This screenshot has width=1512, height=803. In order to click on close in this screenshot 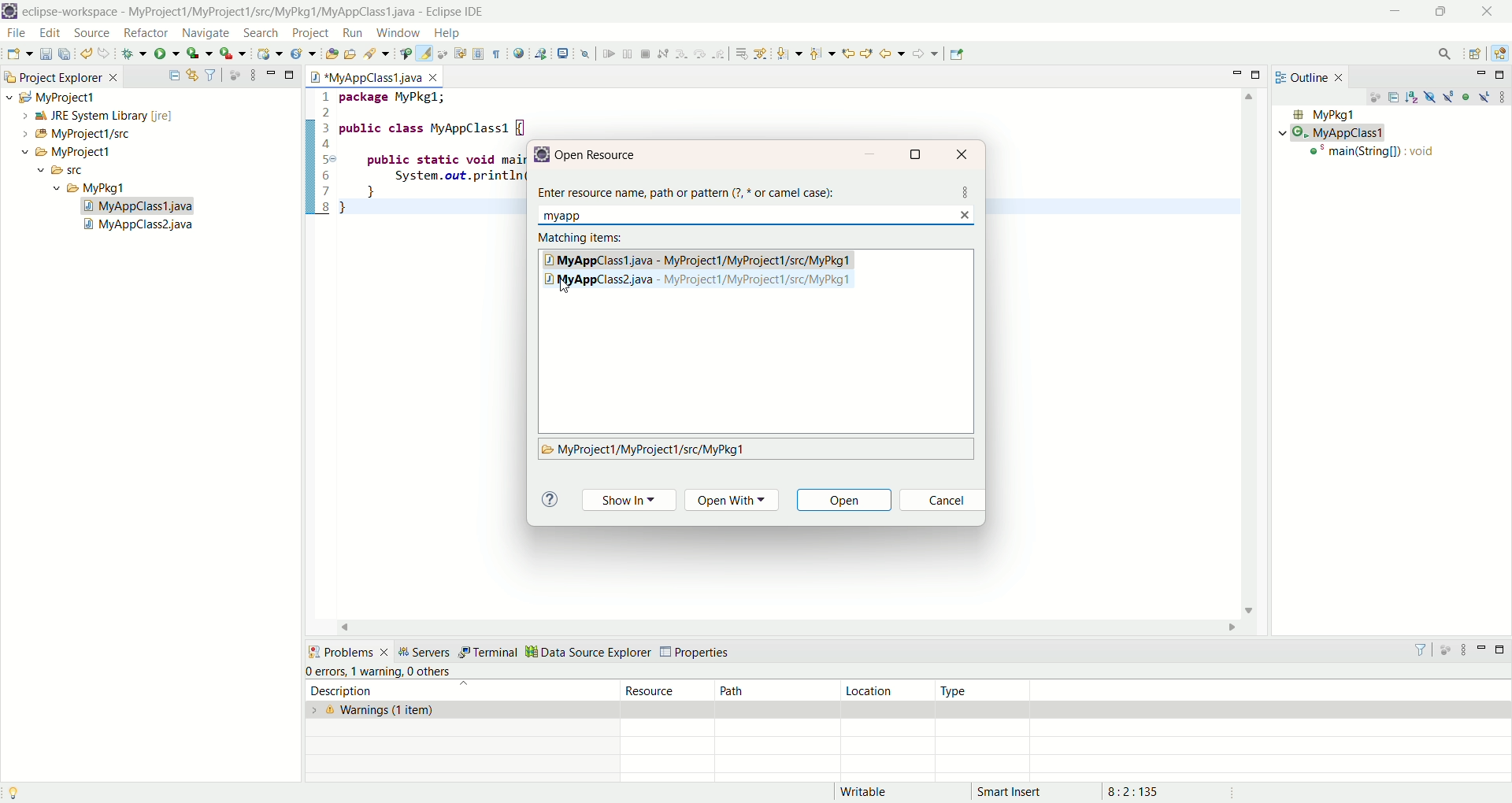, I will do `click(1492, 10)`.